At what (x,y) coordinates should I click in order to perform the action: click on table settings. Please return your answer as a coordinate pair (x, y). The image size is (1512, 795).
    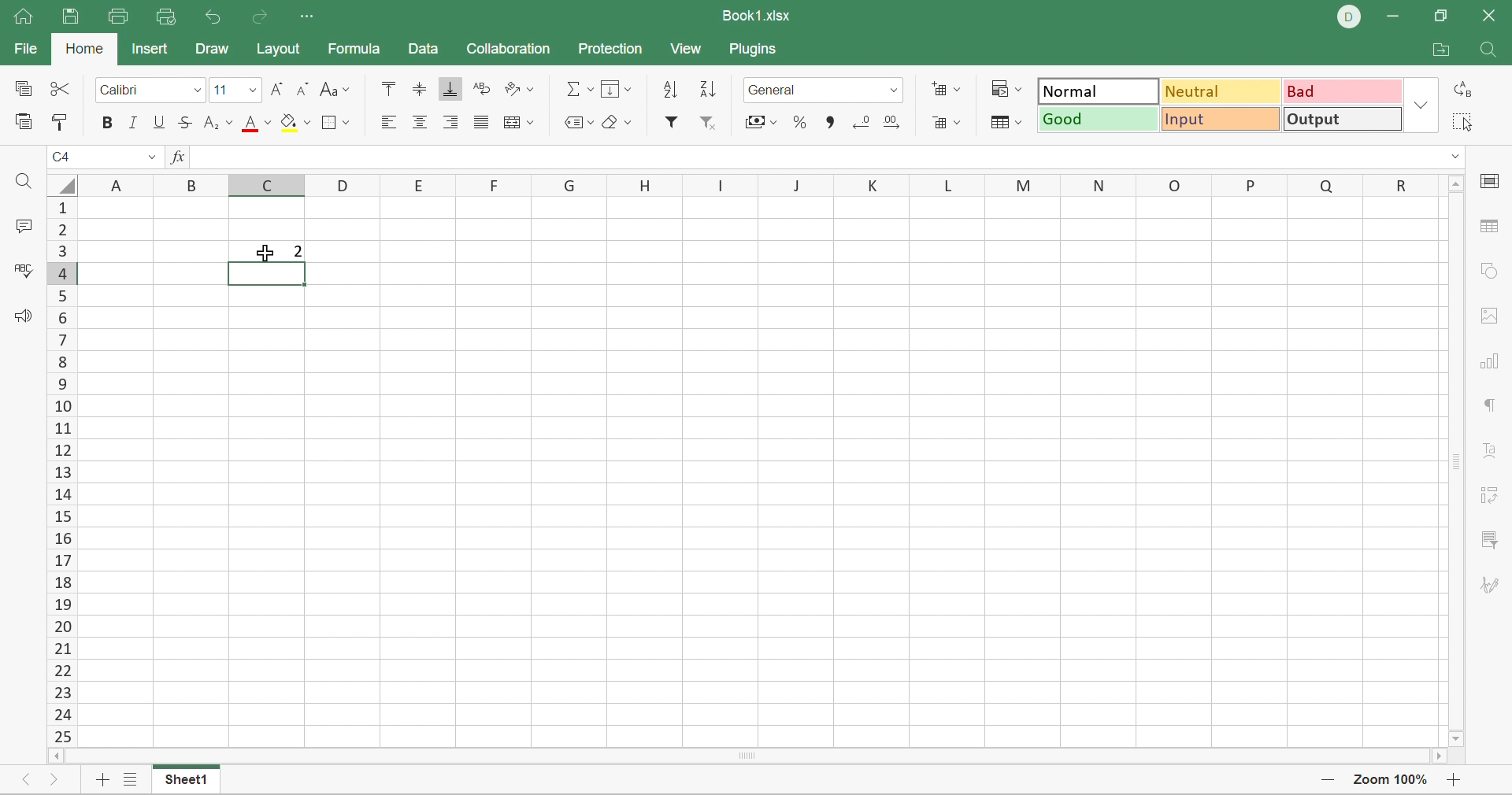
    Looking at the image, I should click on (1490, 227).